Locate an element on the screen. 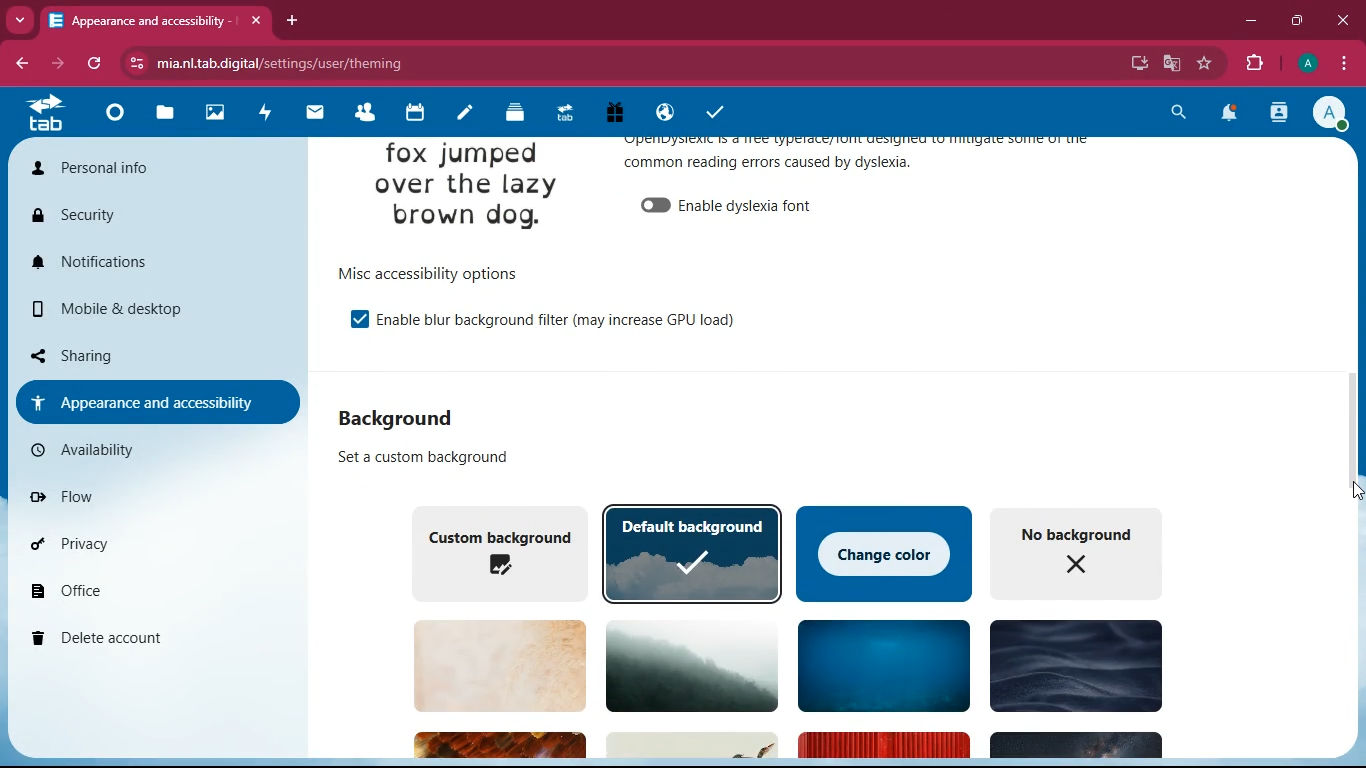  off is located at coordinates (656, 205).